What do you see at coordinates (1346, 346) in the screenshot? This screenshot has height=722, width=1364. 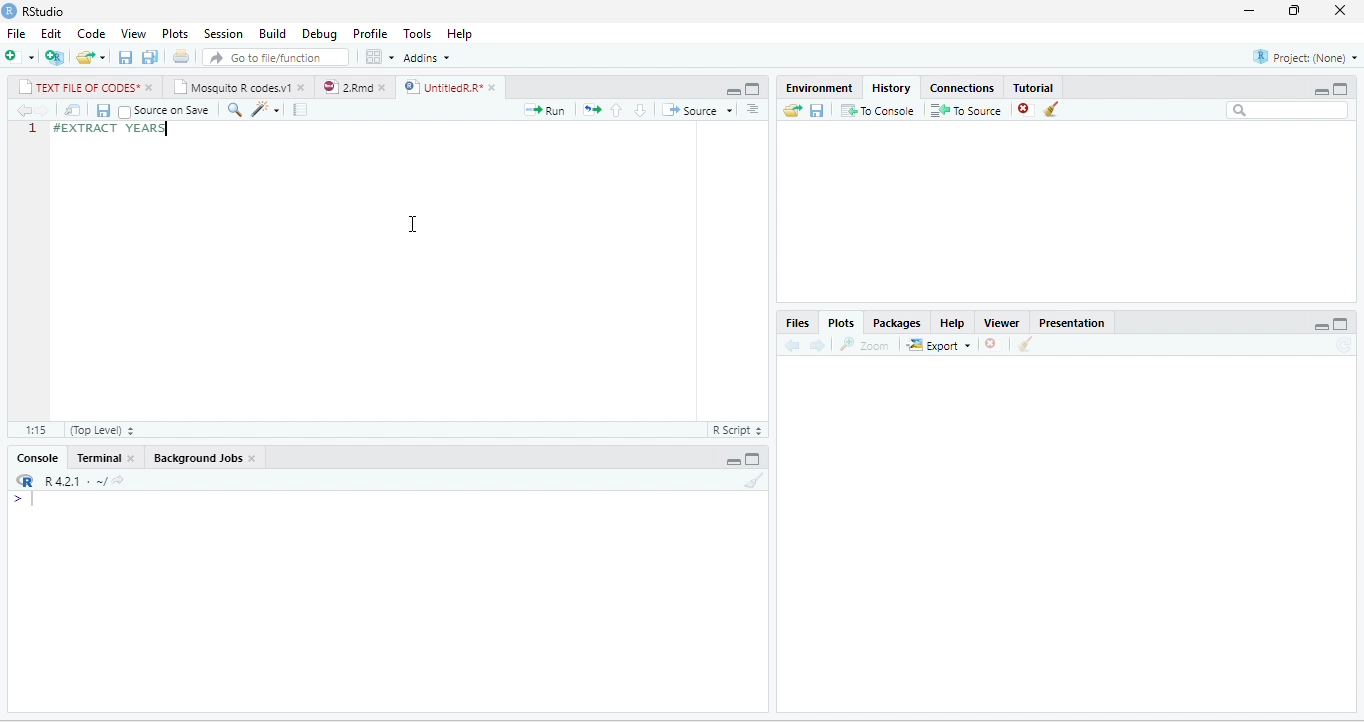 I see `refresh` at bounding box center [1346, 346].